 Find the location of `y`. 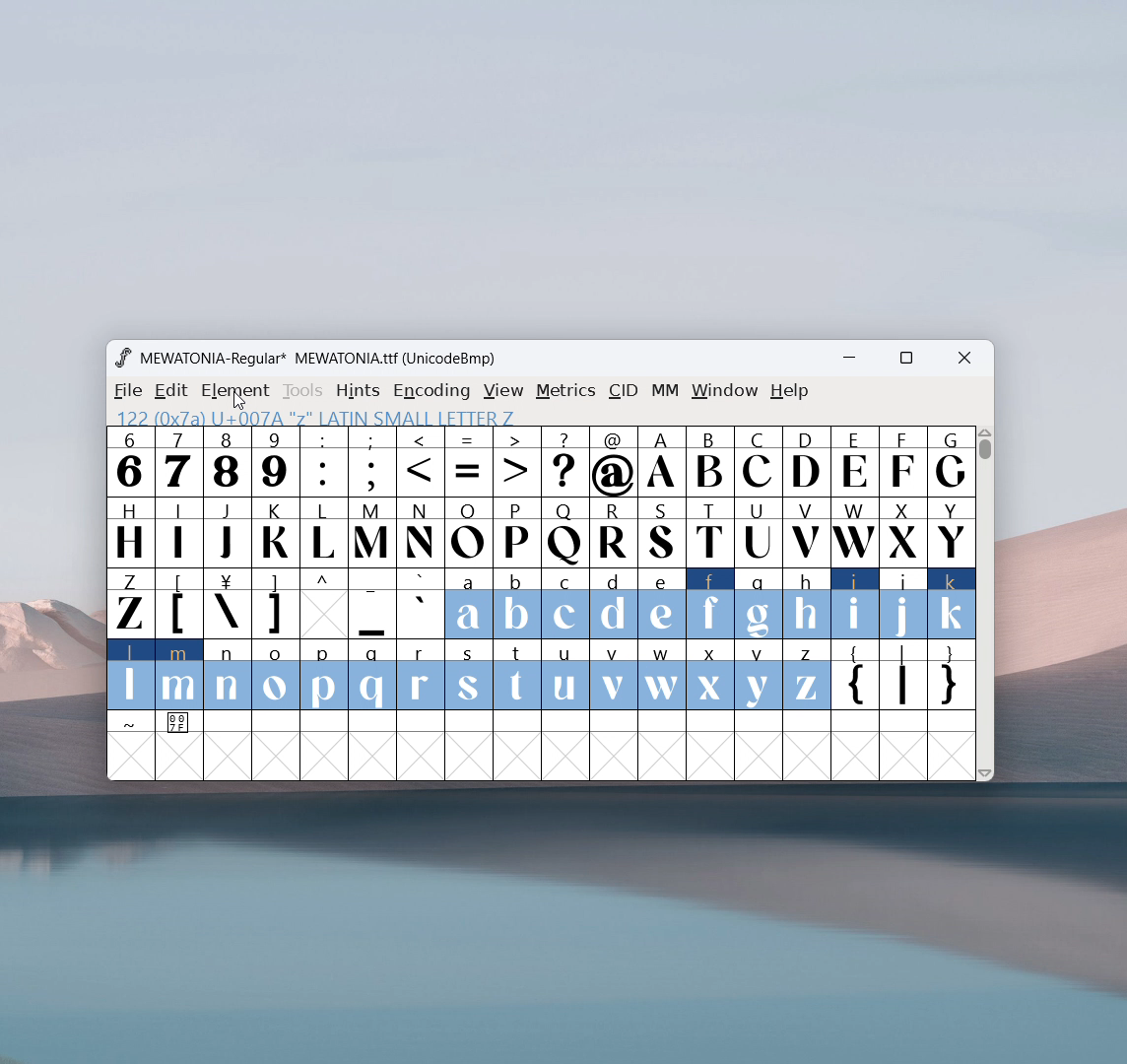

y is located at coordinates (760, 676).